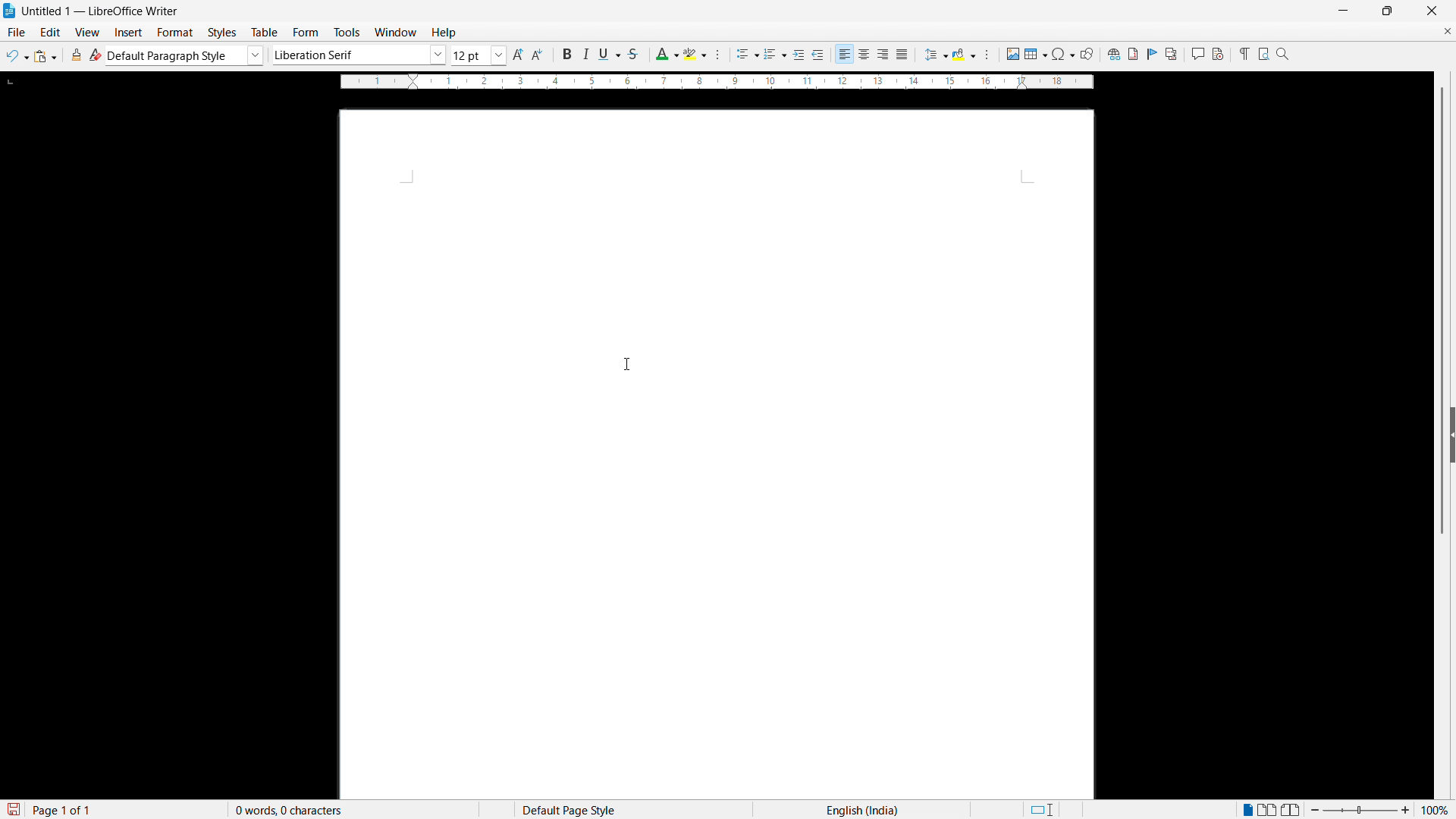 This screenshot has height=819, width=1456. What do you see at coordinates (1197, 54) in the screenshot?
I see `Insert comment ` at bounding box center [1197, 54].